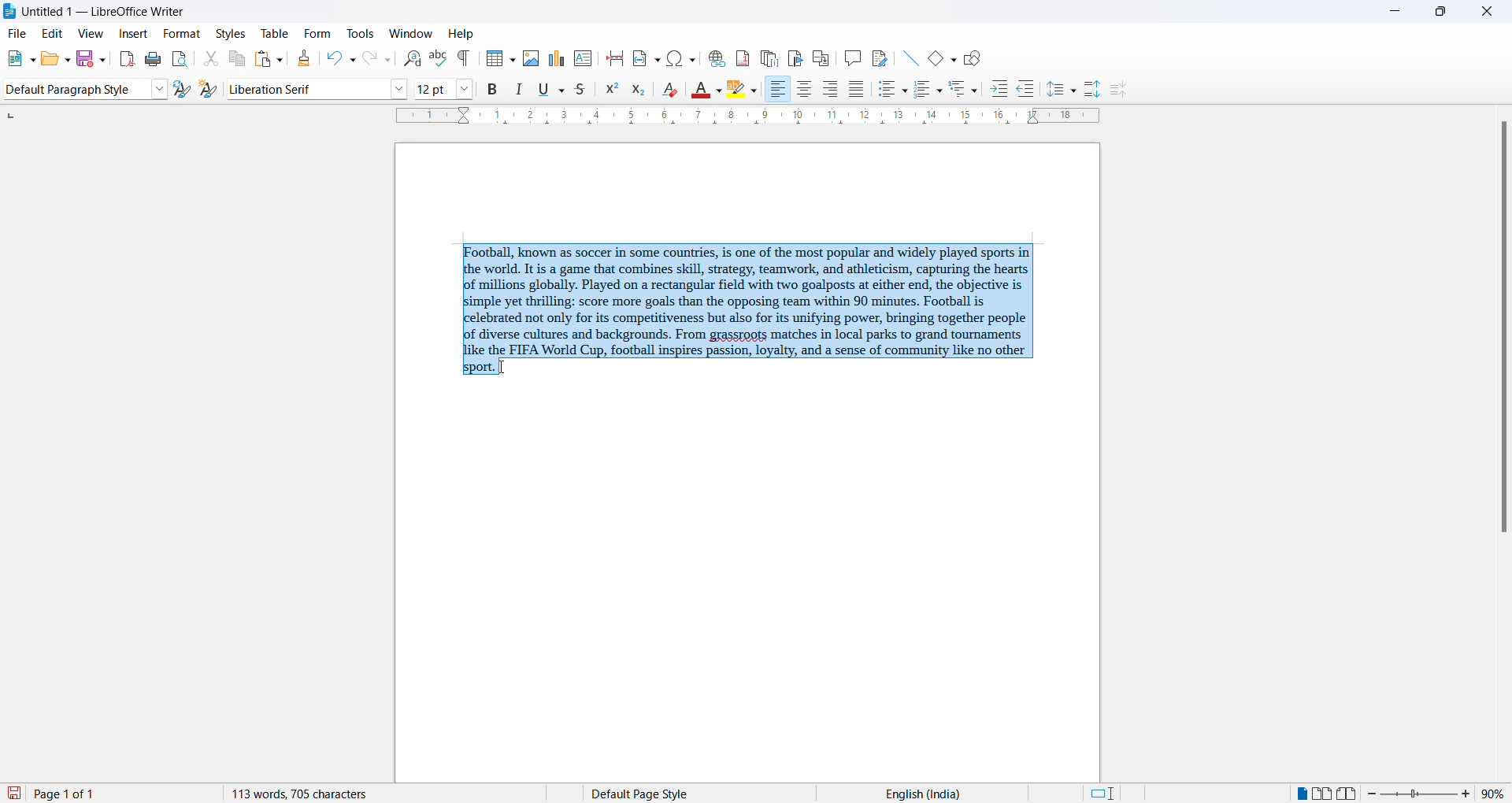  What do you see at coordinates (54, 34) in the screenshot?
I see `edit` at bounding box center [54, 34].